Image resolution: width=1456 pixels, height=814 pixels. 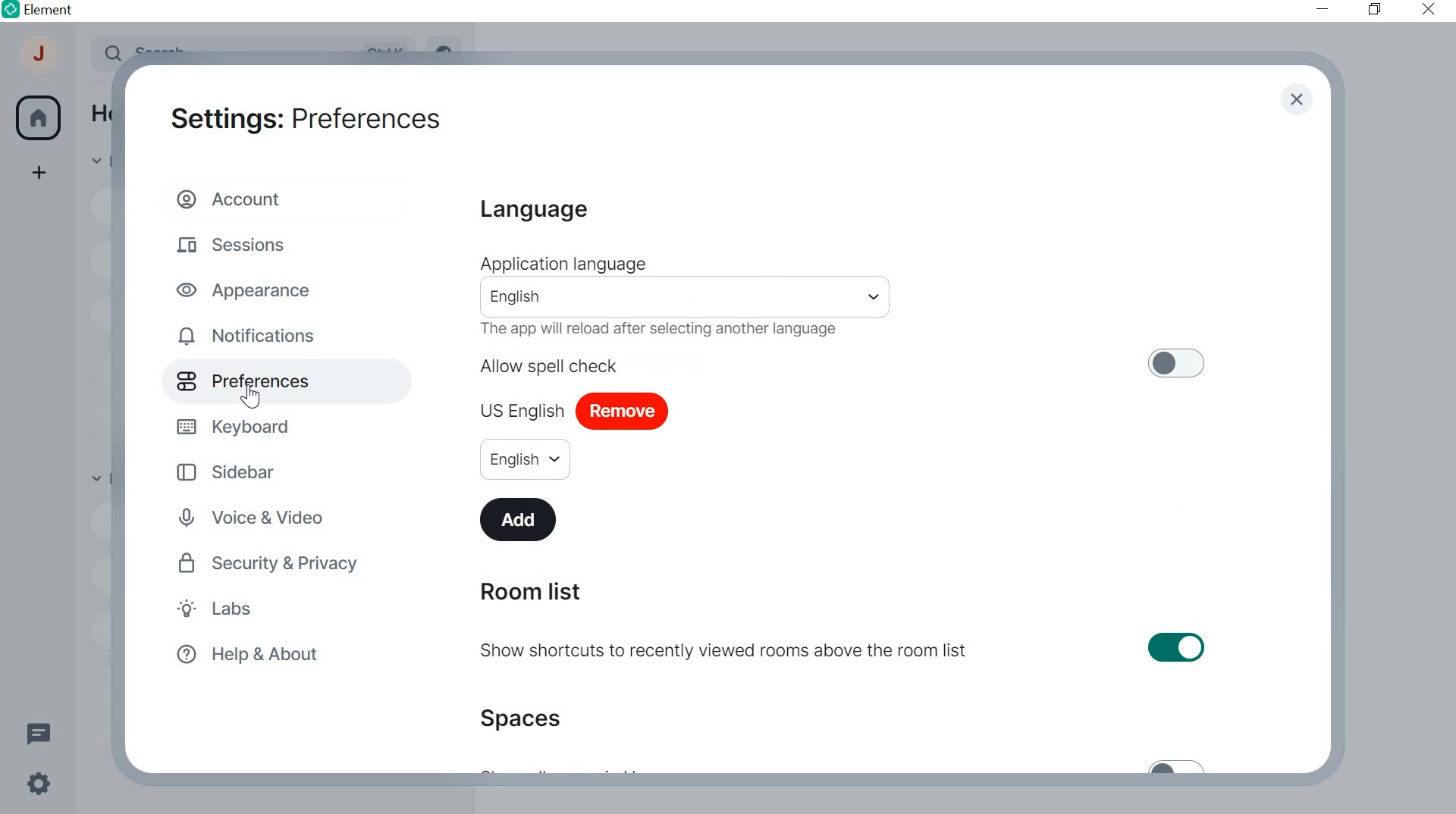 I want to click on MINIMIZE, so click(x=1324, y=9).